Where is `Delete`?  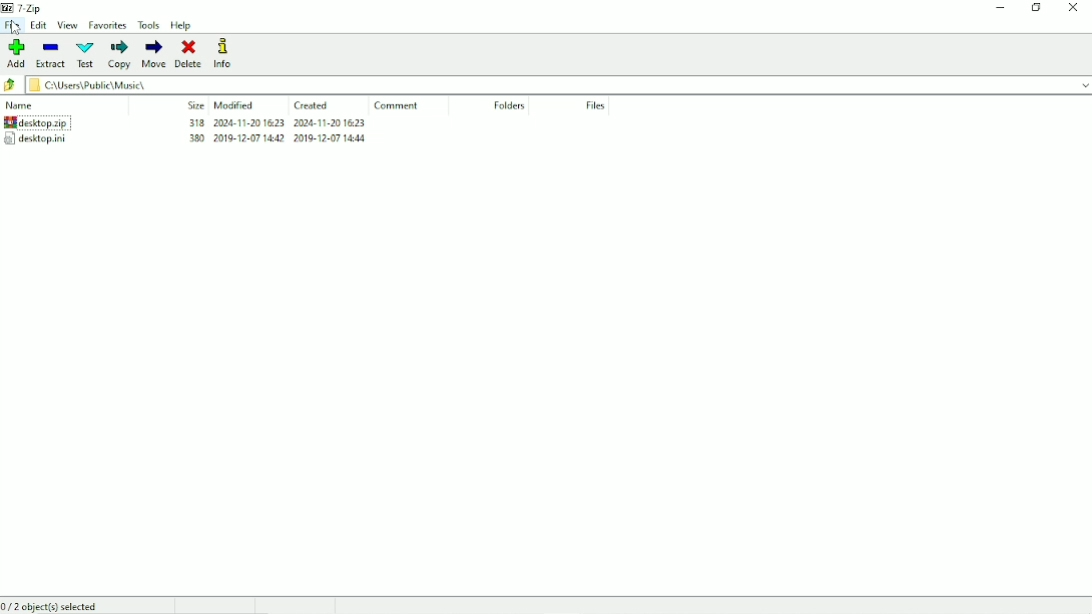
Delete is located at coordinates (192, 53).